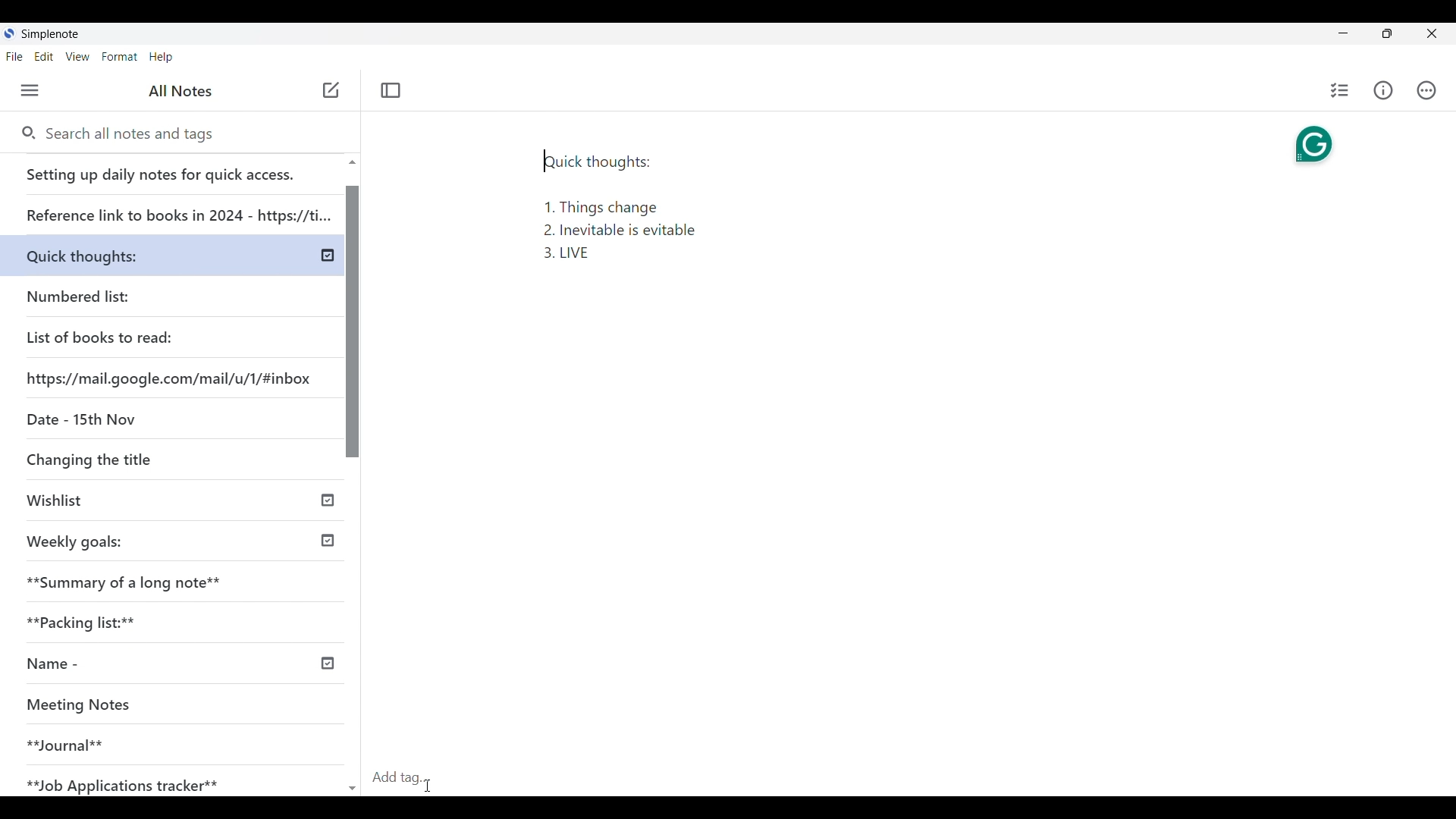  What do you see at coordinates (328, 498) in the screenshot?
I see `published` at bounding box center [328, 498].